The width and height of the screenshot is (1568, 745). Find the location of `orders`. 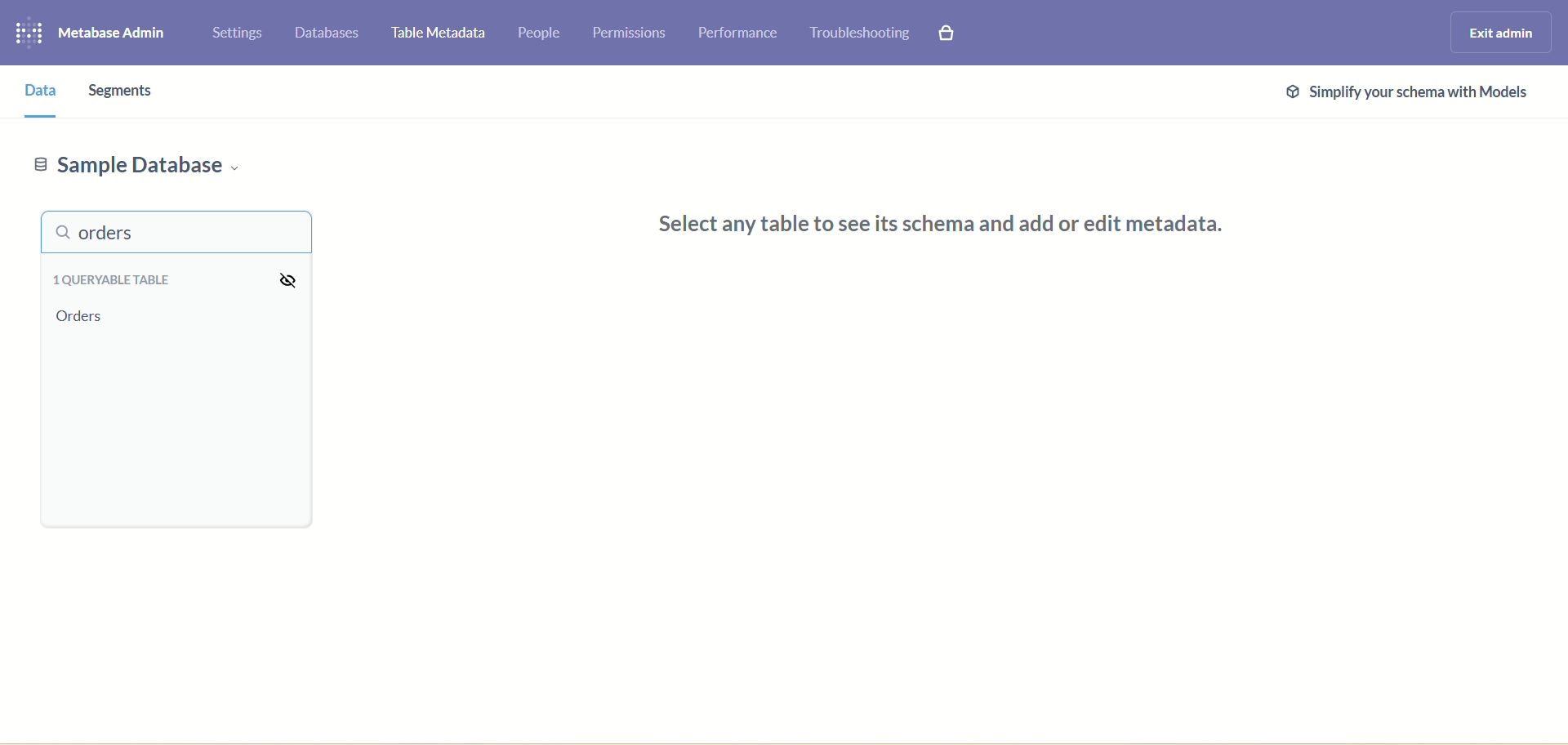

orders is located at coordinates (180, 234).